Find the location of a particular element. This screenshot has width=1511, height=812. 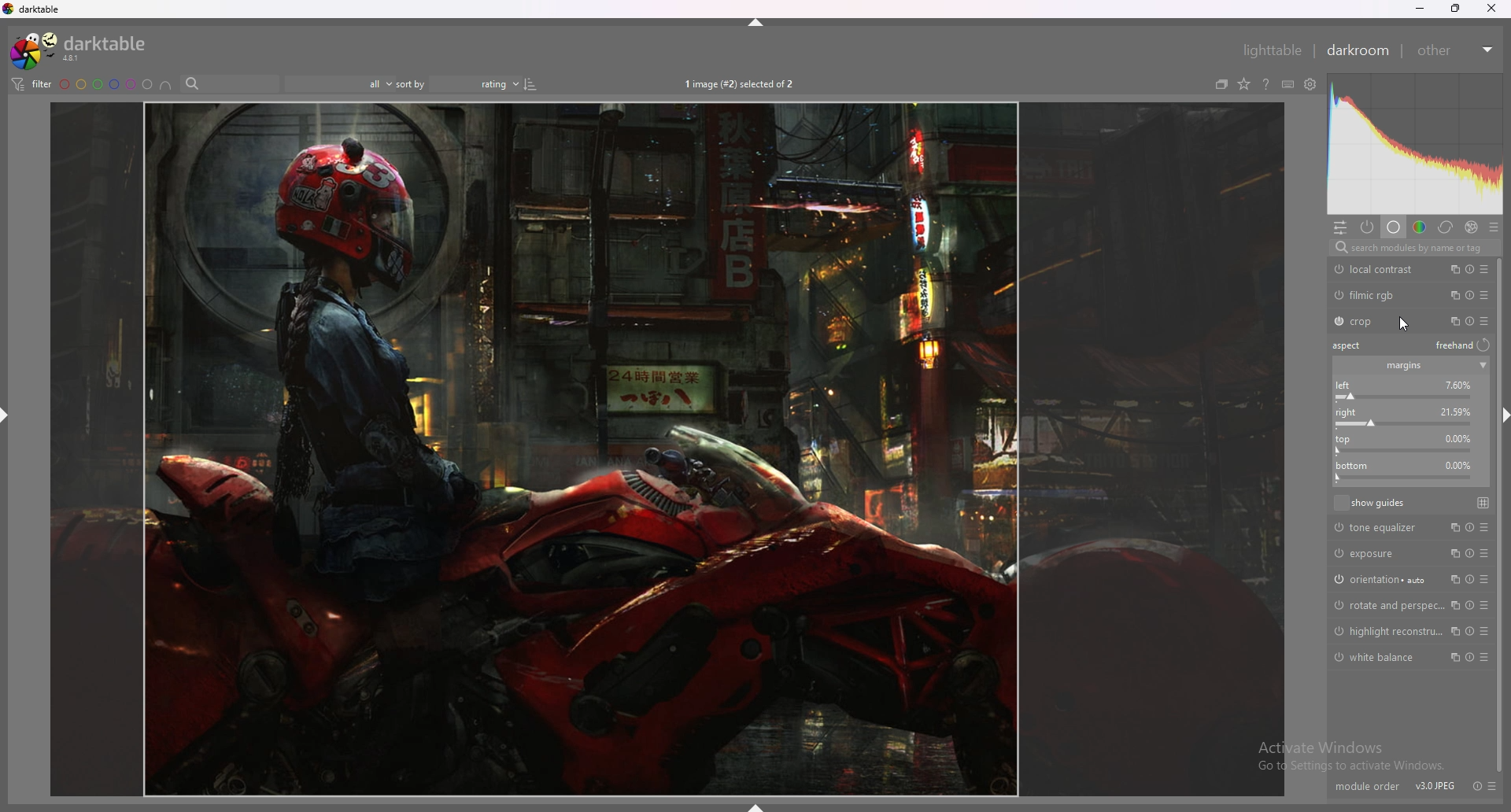

white balance is located at coordinates (1380, 657).